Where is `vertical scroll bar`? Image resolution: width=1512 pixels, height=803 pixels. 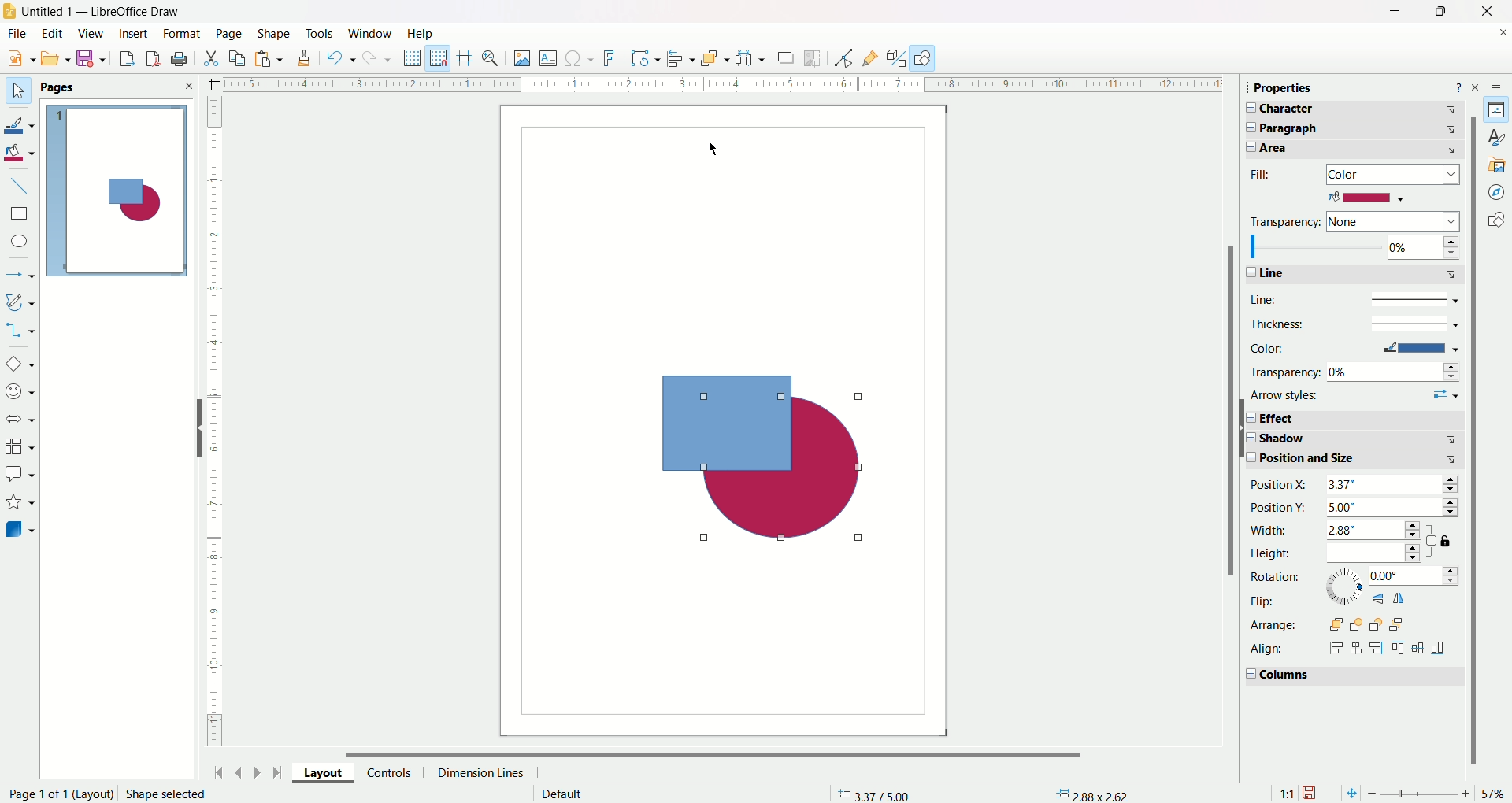 vertical scroll bar is located at coordinates (1229, 439).